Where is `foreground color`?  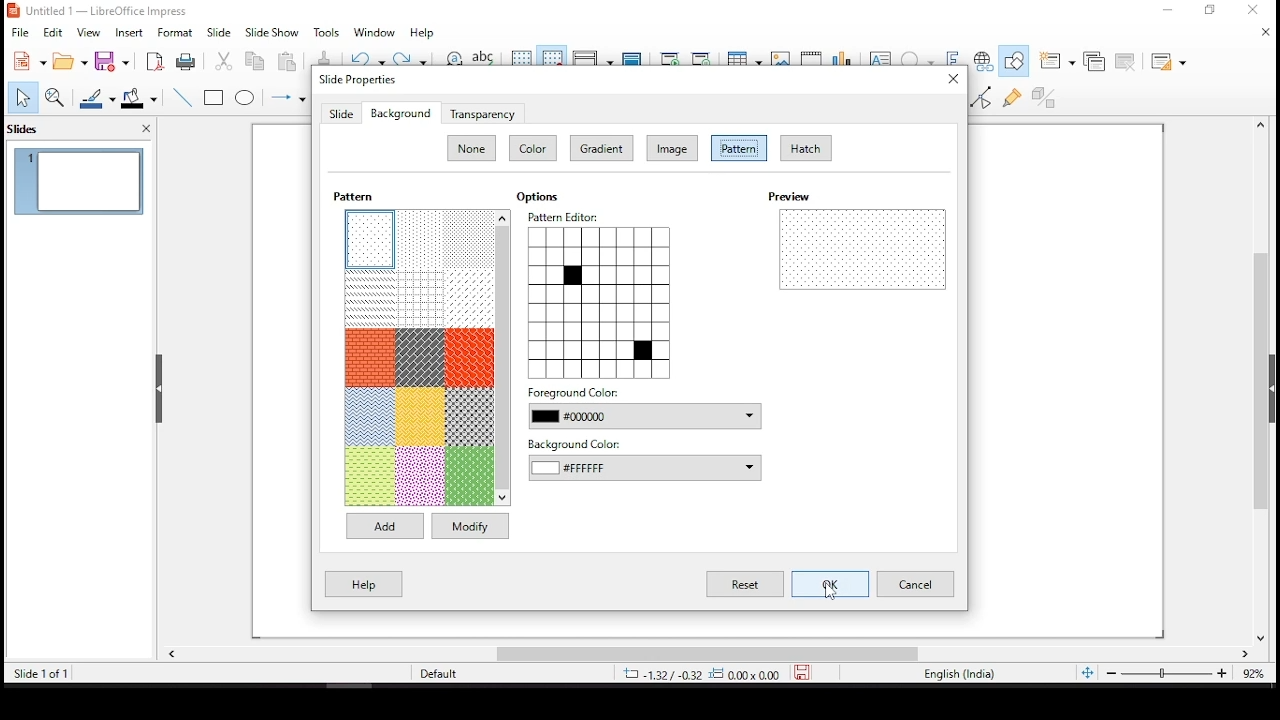 foreground color is located at coordinates (644, 409).